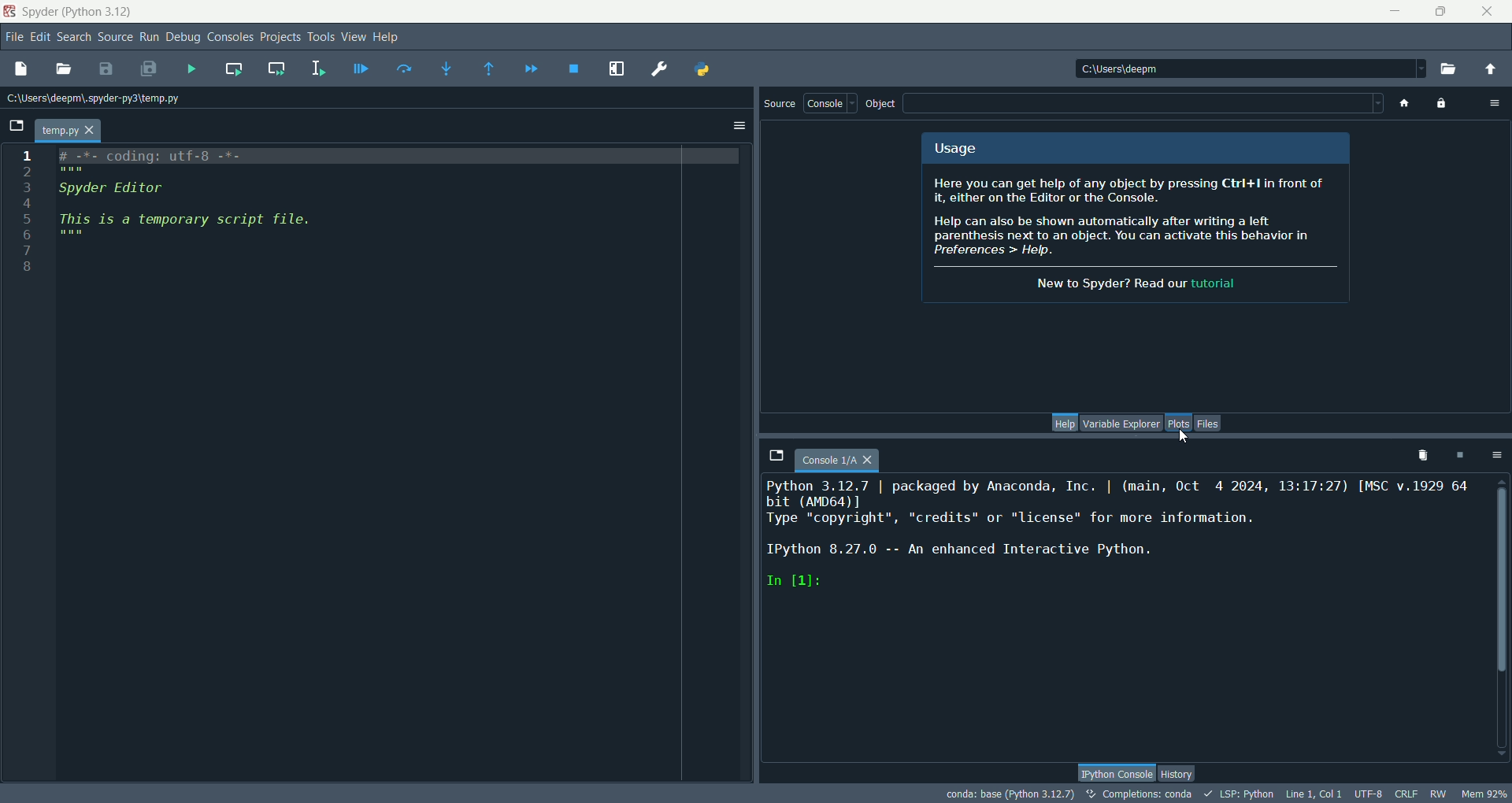 The height and width of the screenshot is (803, 1512). I want to click on run, so click(151, 37).